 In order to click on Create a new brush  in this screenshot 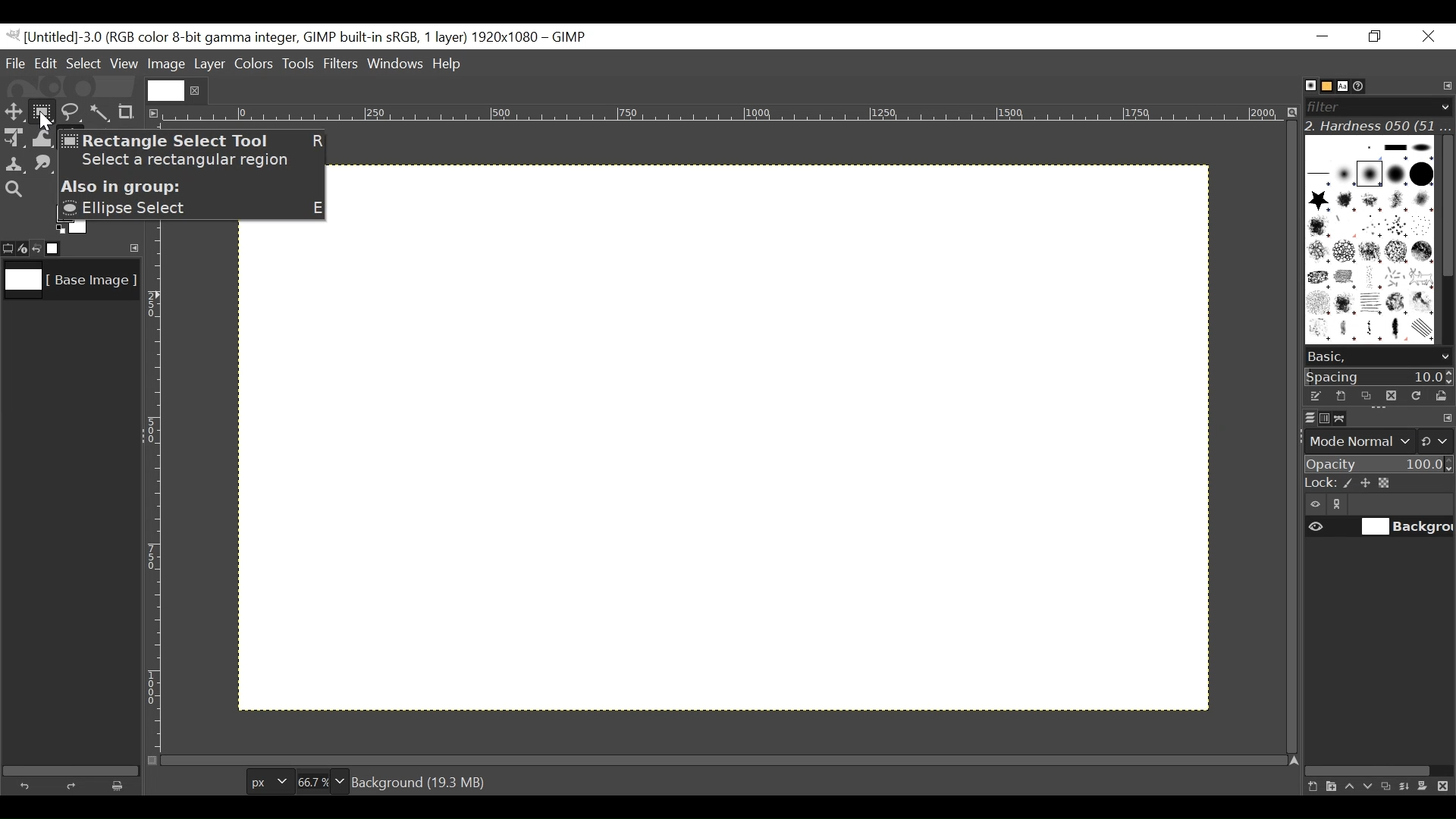, I will do `click(1340, 396)`.